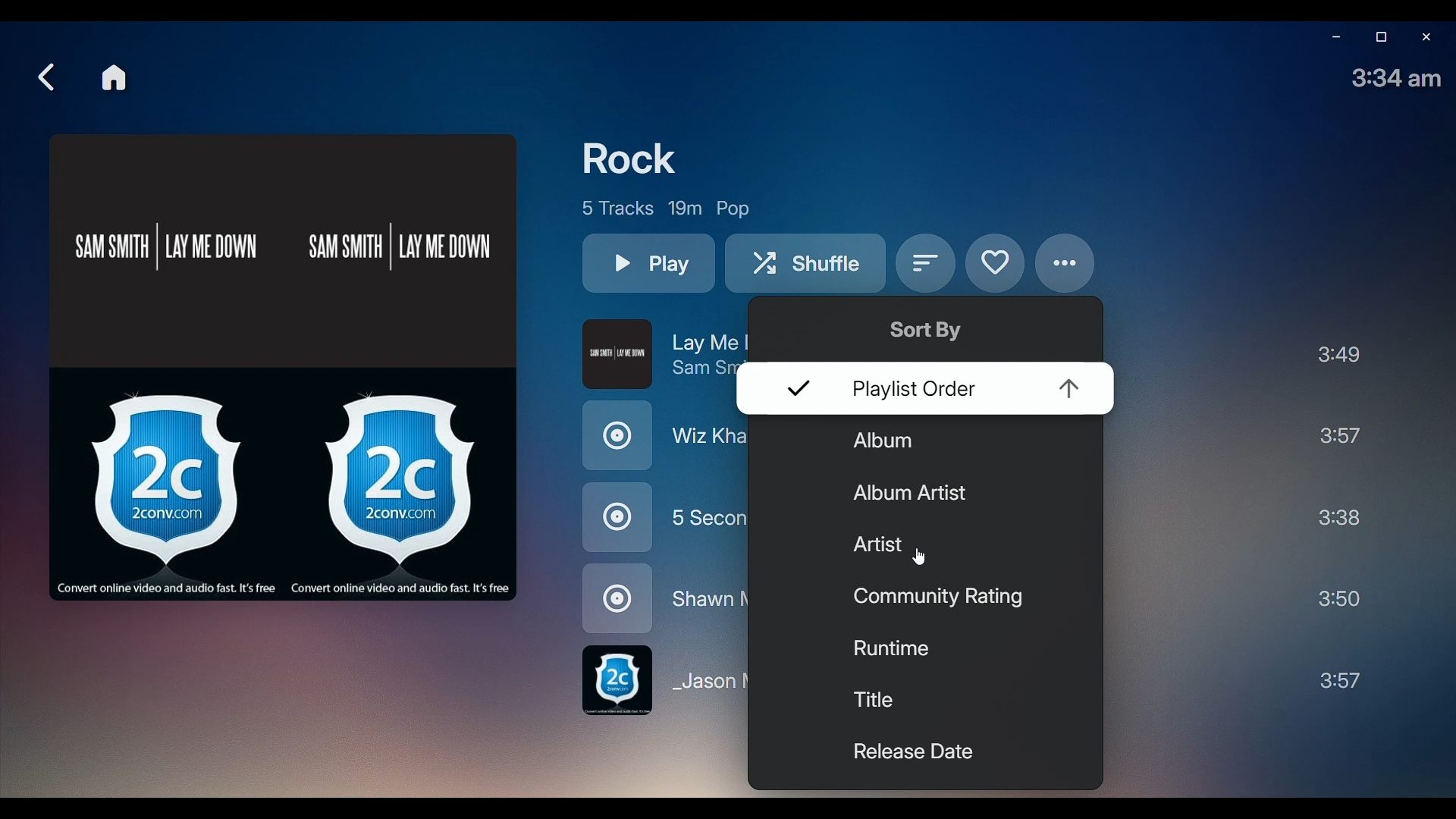 The height and width of the screenshot is (819, 1456). Describe the element at coordinates (666, 207) in the screenshot. I see `Playlist details` at that location.